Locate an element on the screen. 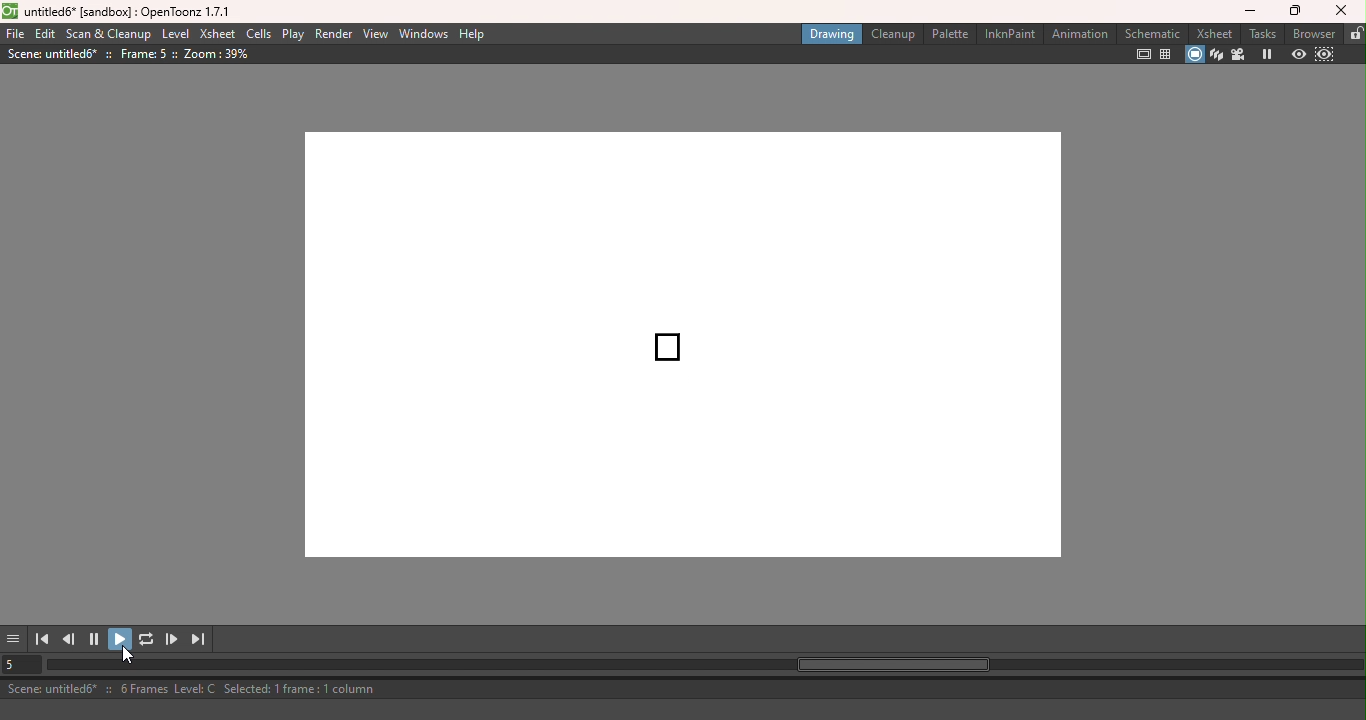 The width and height of the screenshot is (1366, 720). Minimize is located at coordinates (1240, 11).